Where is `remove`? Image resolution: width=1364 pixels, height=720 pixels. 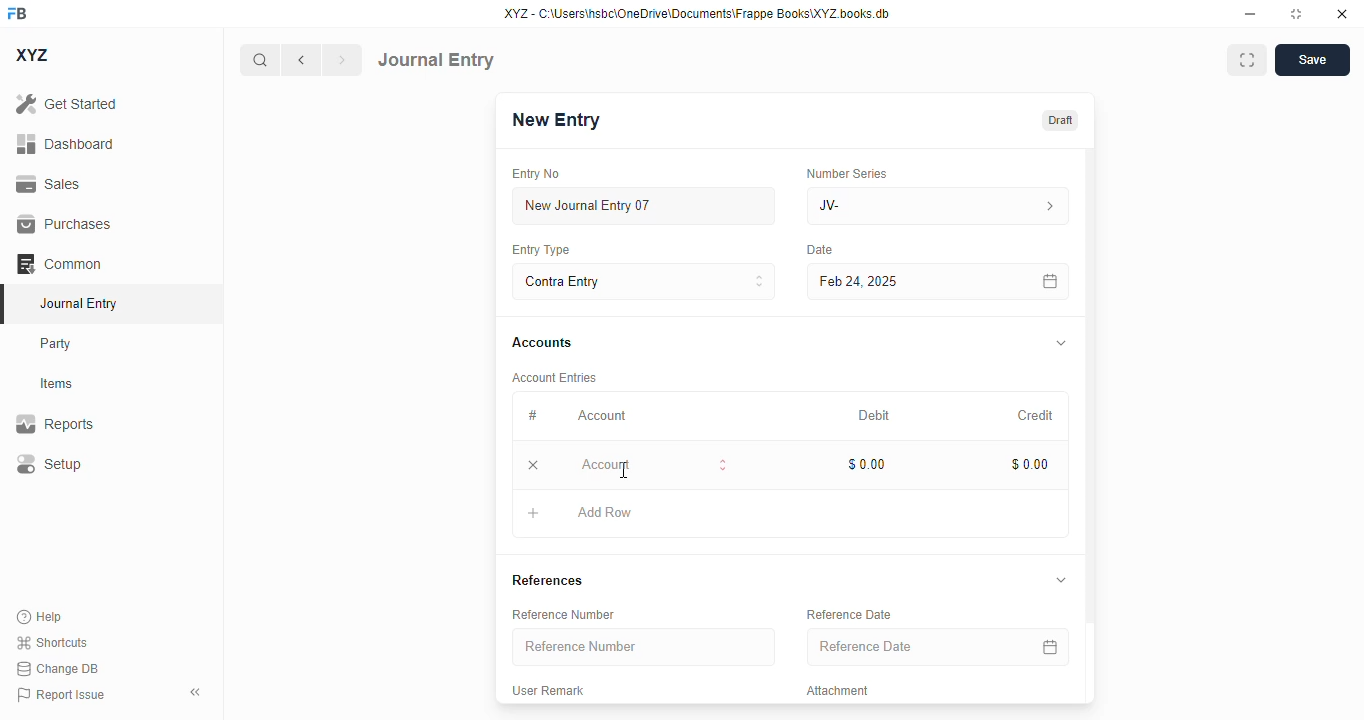
remove is located at coordinates (534, 465).